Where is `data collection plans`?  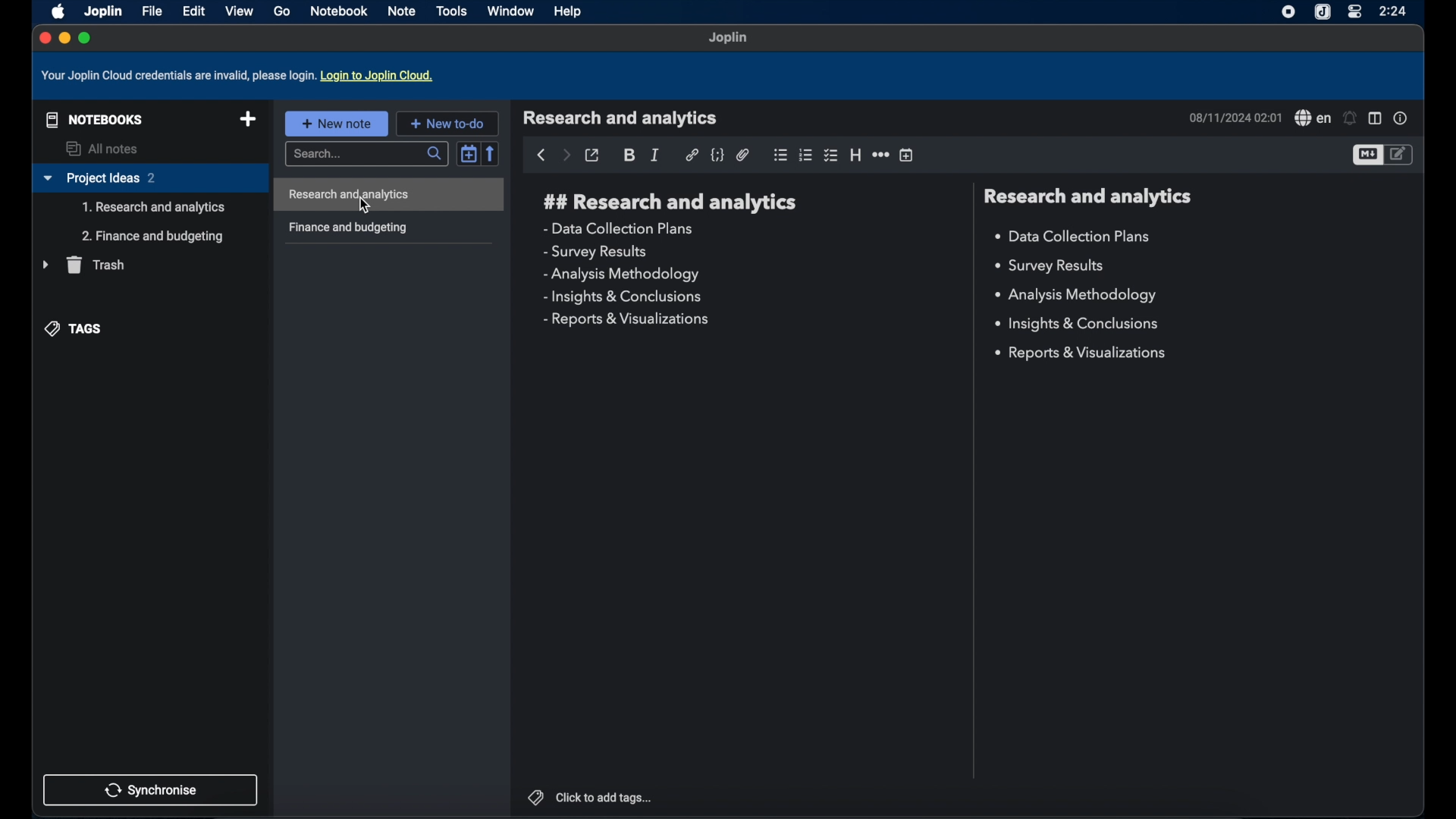
data collection plans is located at coordinates (620, 228).